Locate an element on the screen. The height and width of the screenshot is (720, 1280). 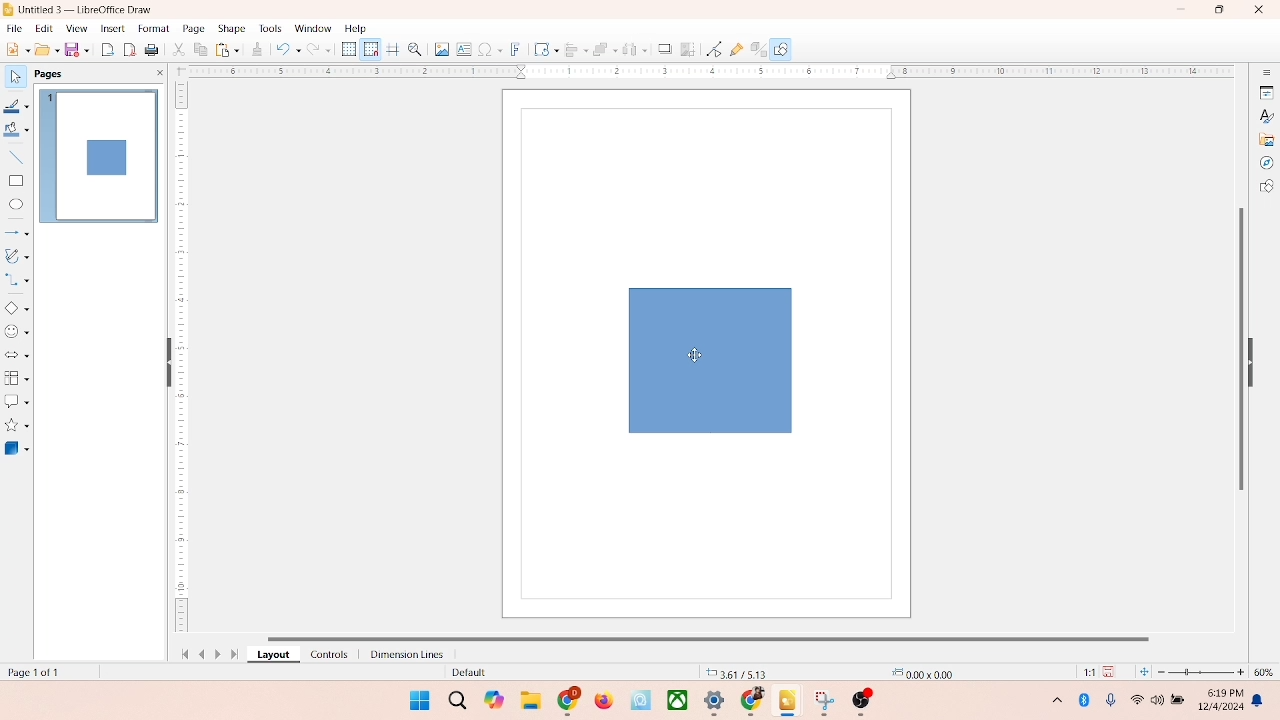
previous page is located at coordinates (202, 654).